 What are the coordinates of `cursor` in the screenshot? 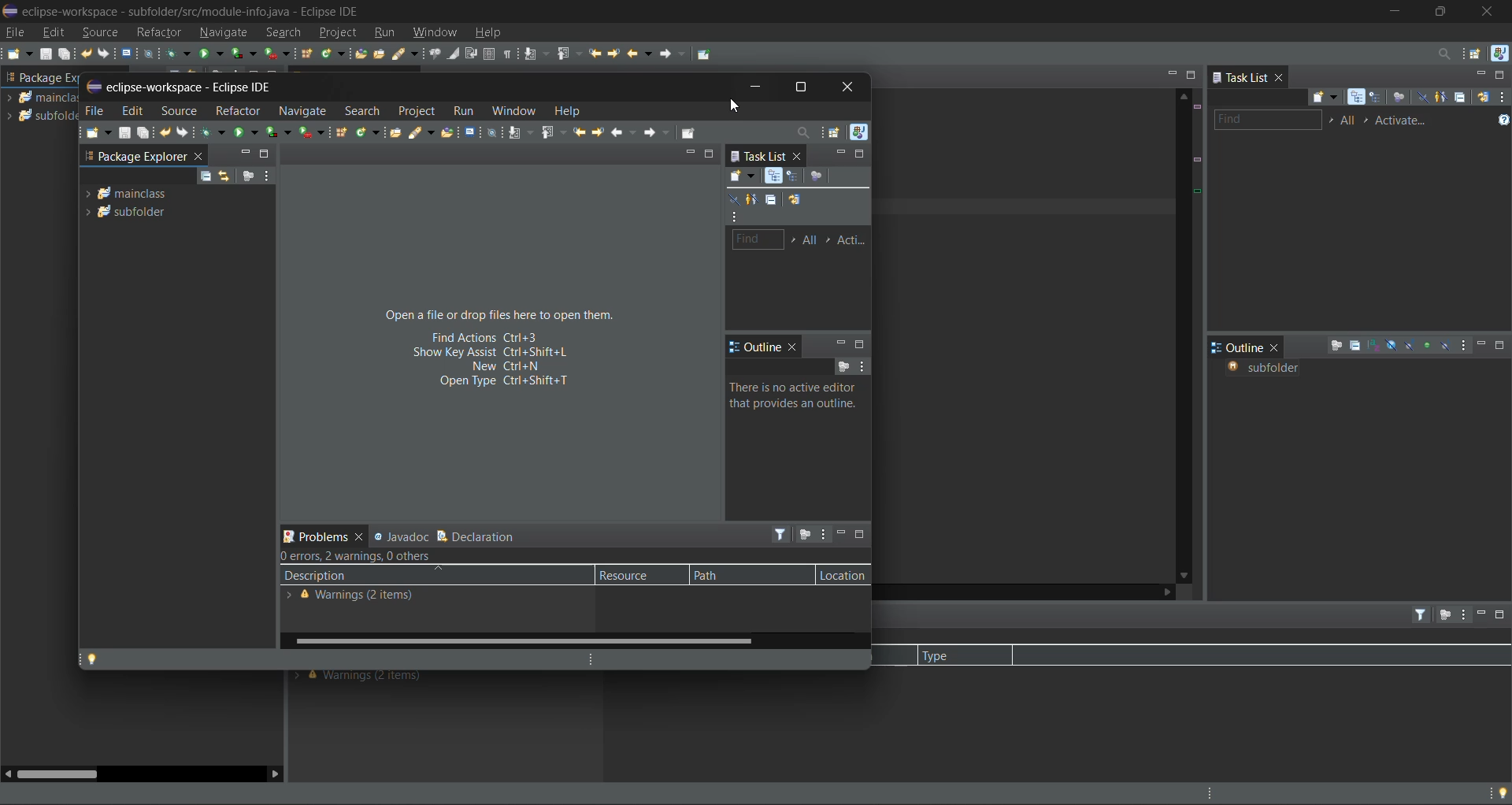 It's located at (736, 108).